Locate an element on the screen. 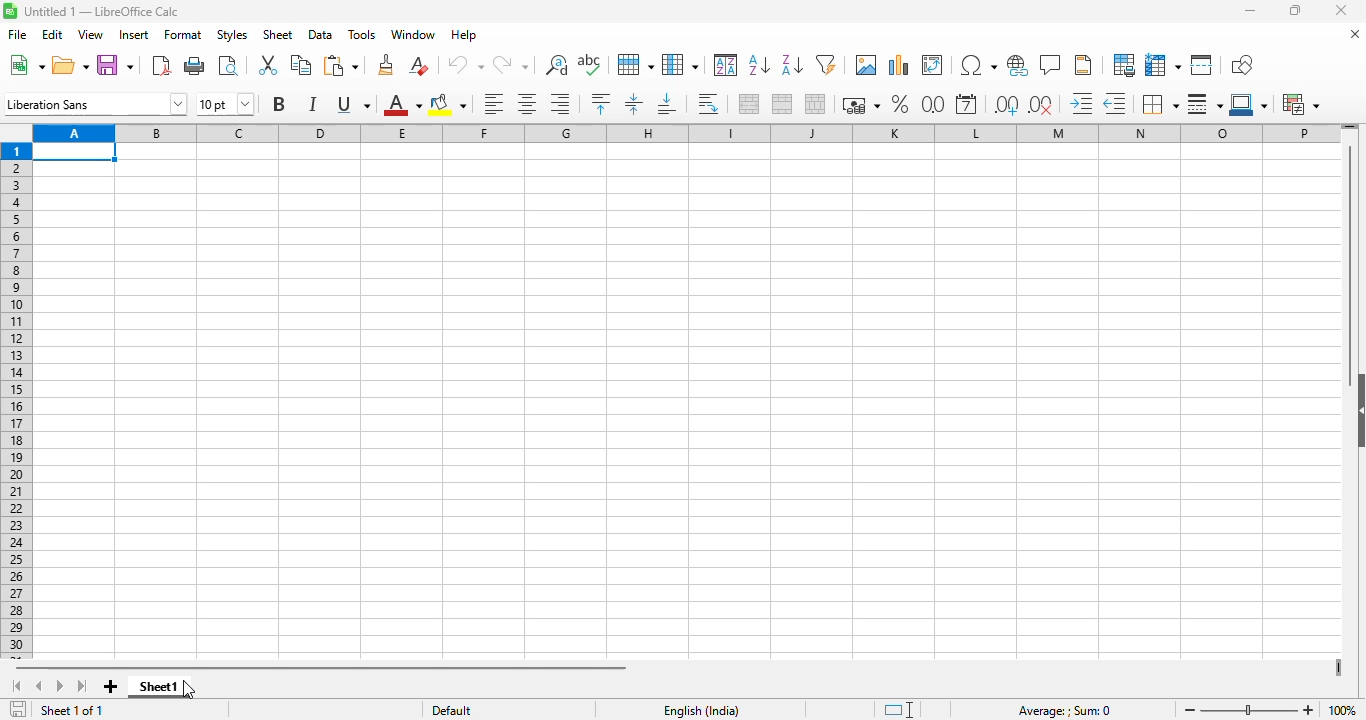  clone formatting is located at coordinates (385, 64).